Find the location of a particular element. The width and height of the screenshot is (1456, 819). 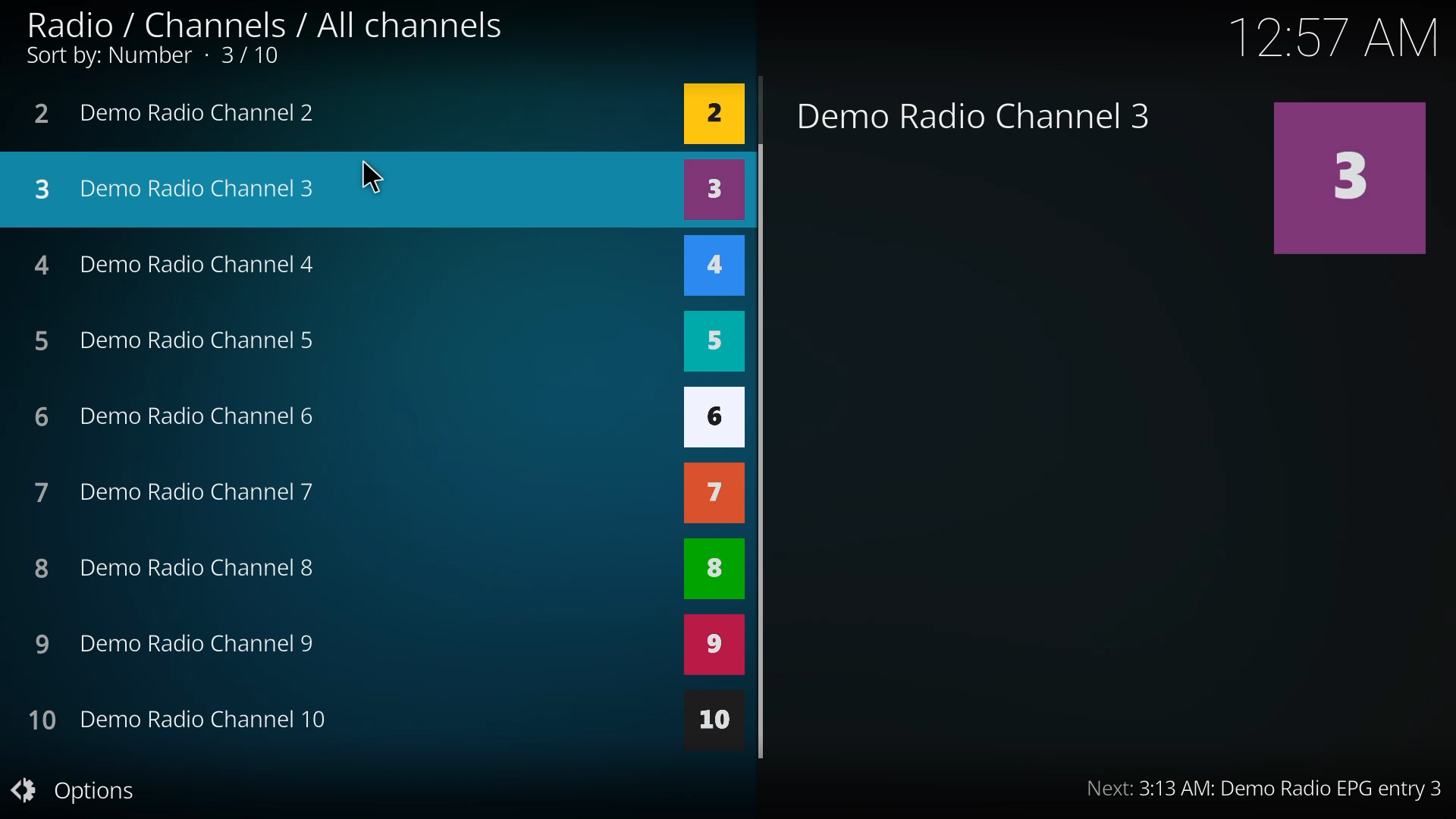

6 is located at coordinates (713, 416).